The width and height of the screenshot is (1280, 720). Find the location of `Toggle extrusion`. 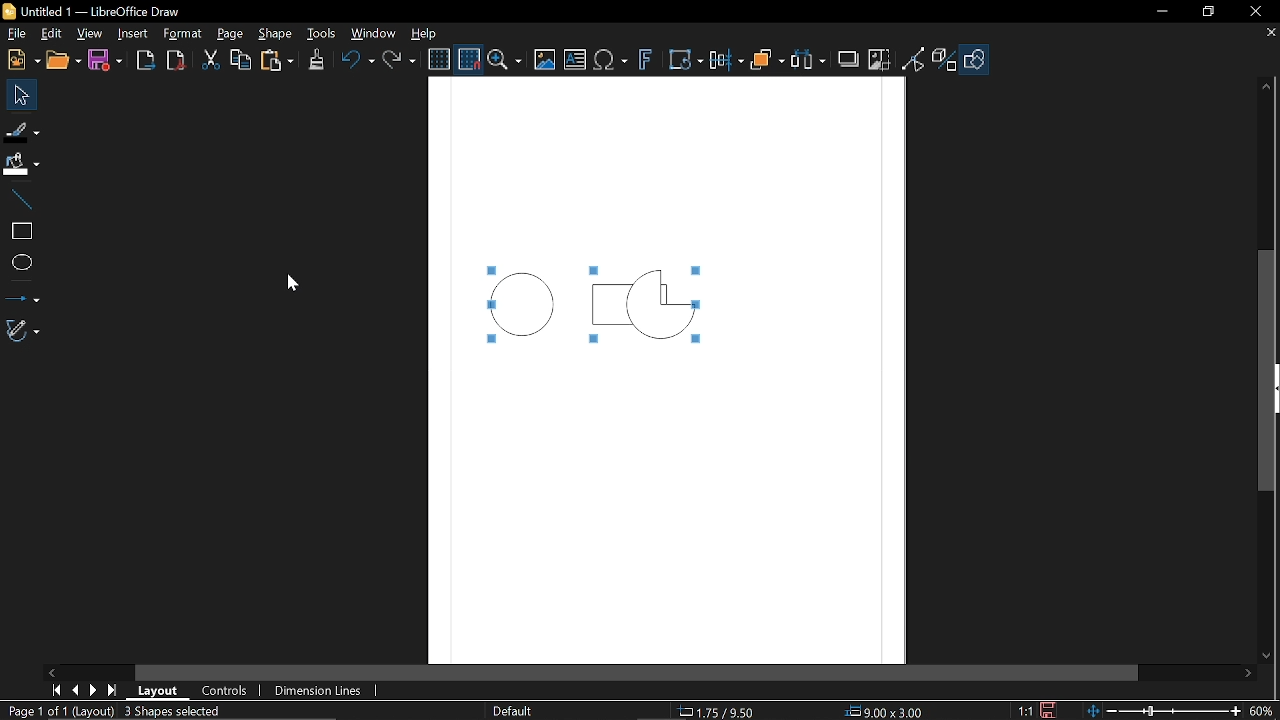

Toggle extrusion is located at coordinates (942, 61).